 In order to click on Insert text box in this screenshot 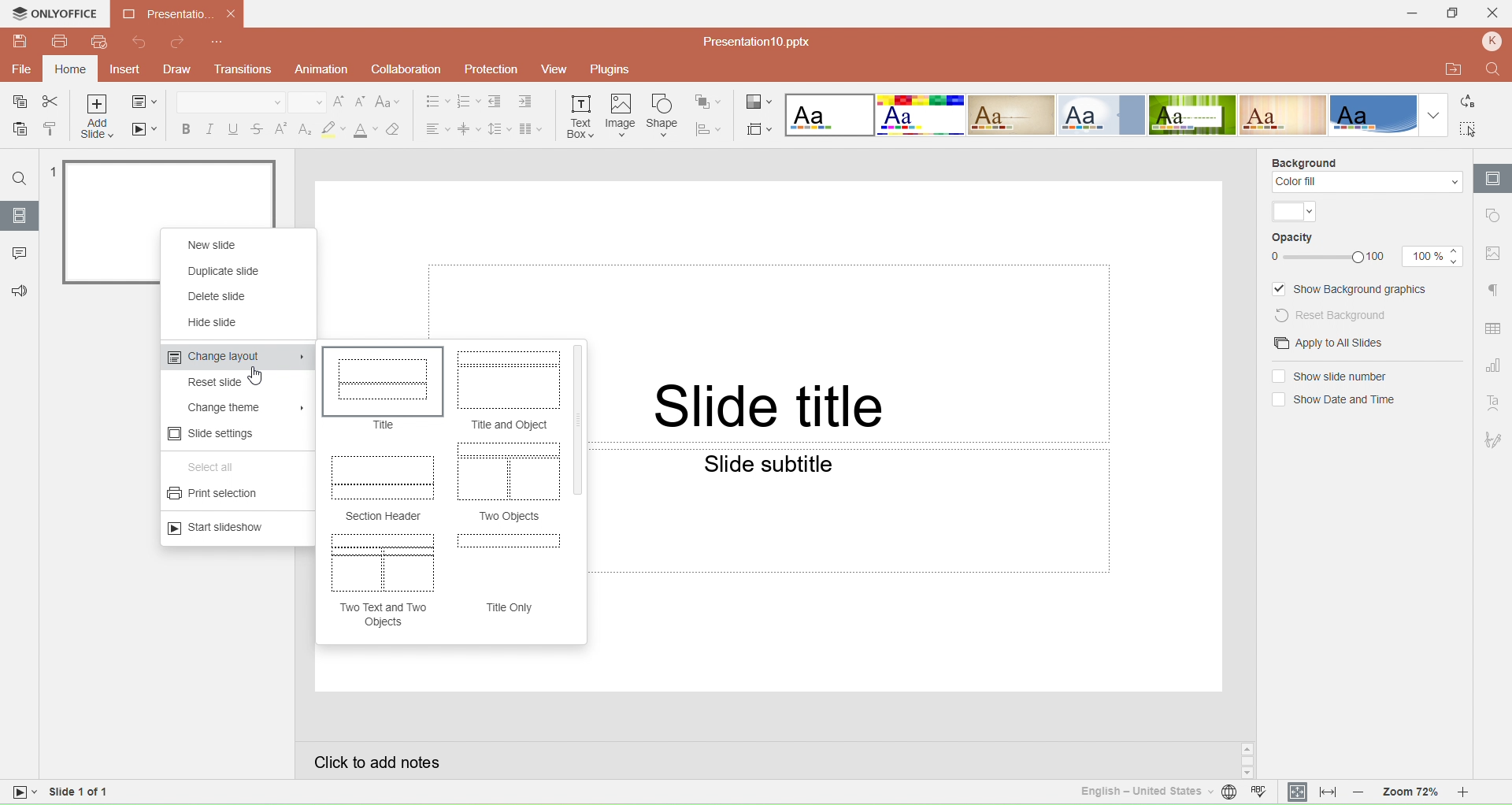, I will do `click(581, 114)`.